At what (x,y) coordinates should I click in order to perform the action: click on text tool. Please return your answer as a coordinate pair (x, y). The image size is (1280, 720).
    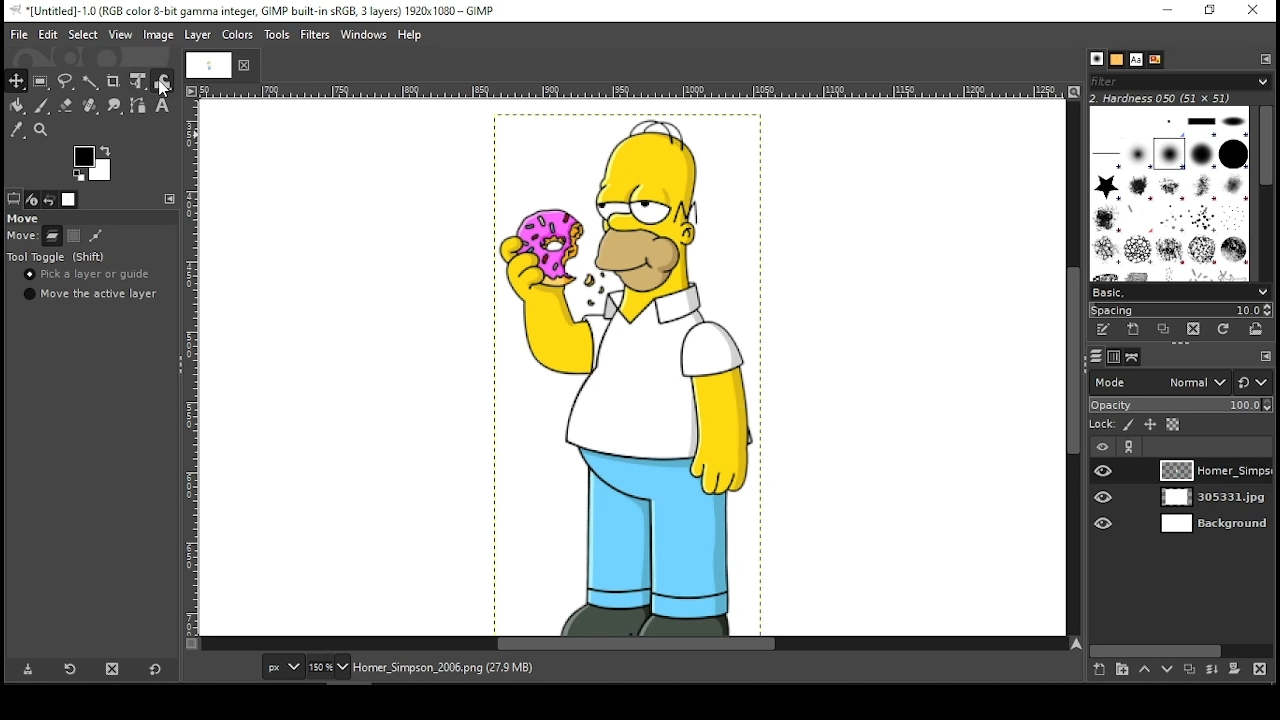
    Looking at the image, I should click on (162, 105).